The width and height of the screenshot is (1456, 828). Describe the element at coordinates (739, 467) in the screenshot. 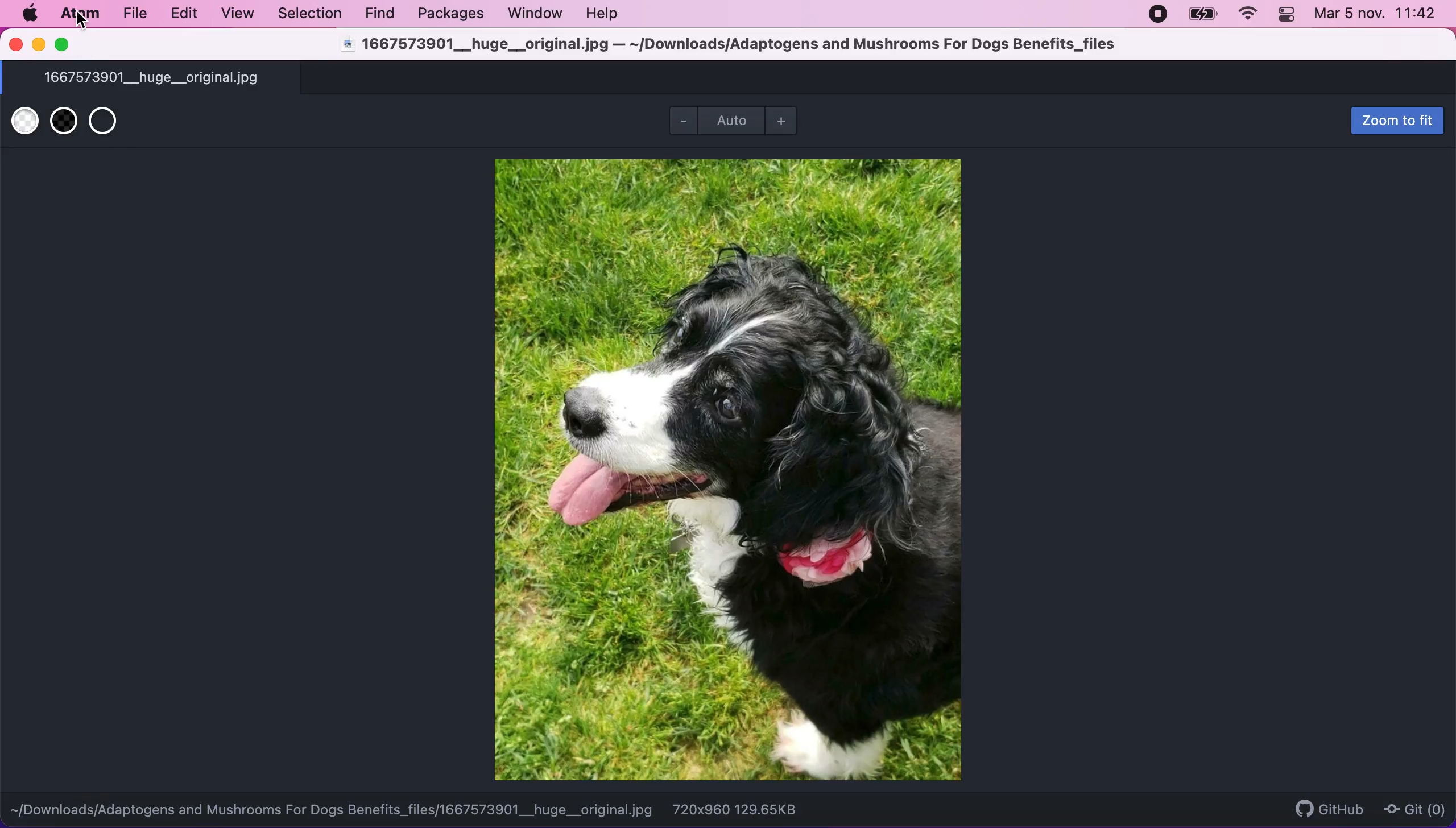

I see `file image` at that location.